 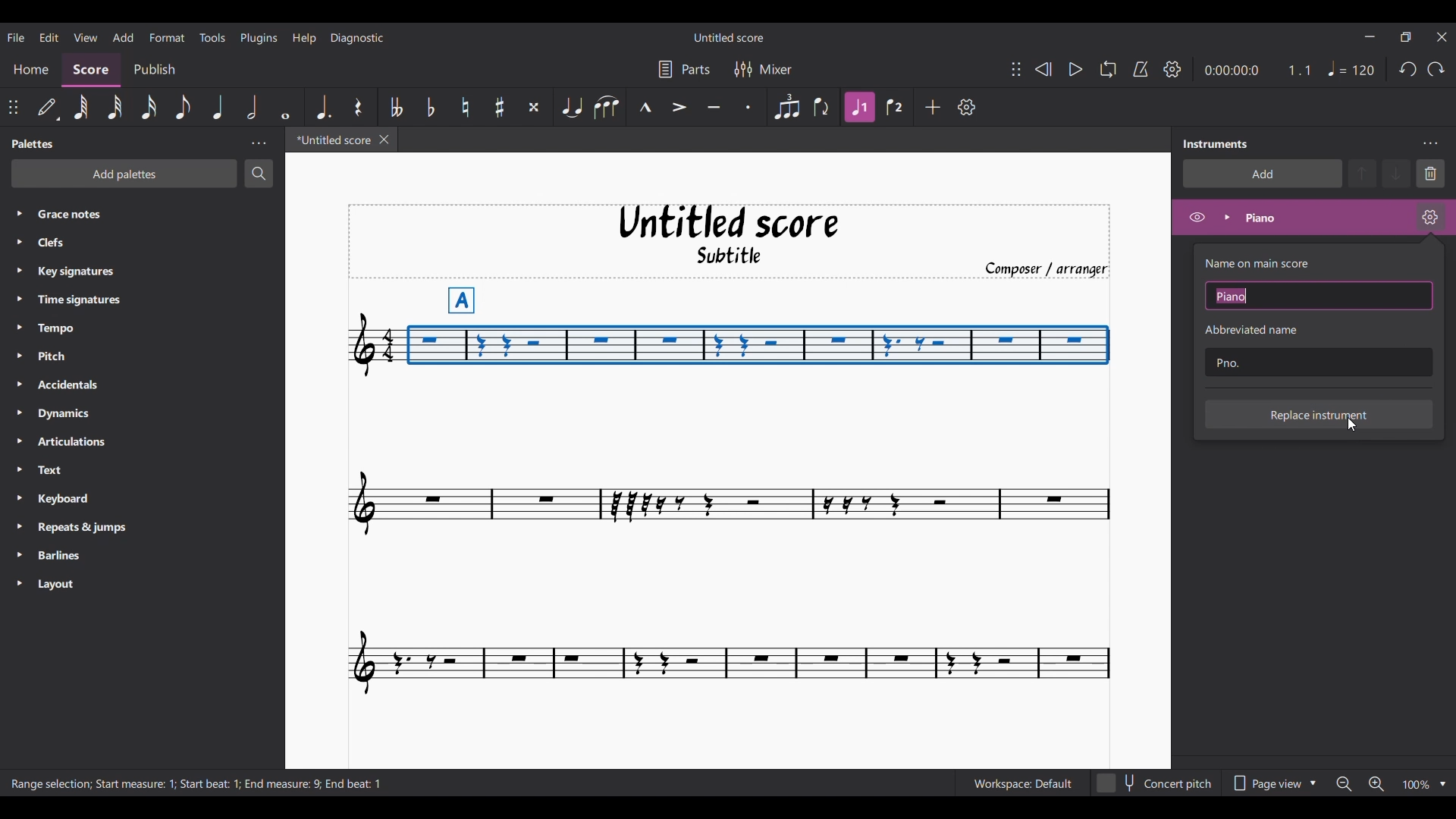 I want to click on Panel settings, so click(x=259, y=143).